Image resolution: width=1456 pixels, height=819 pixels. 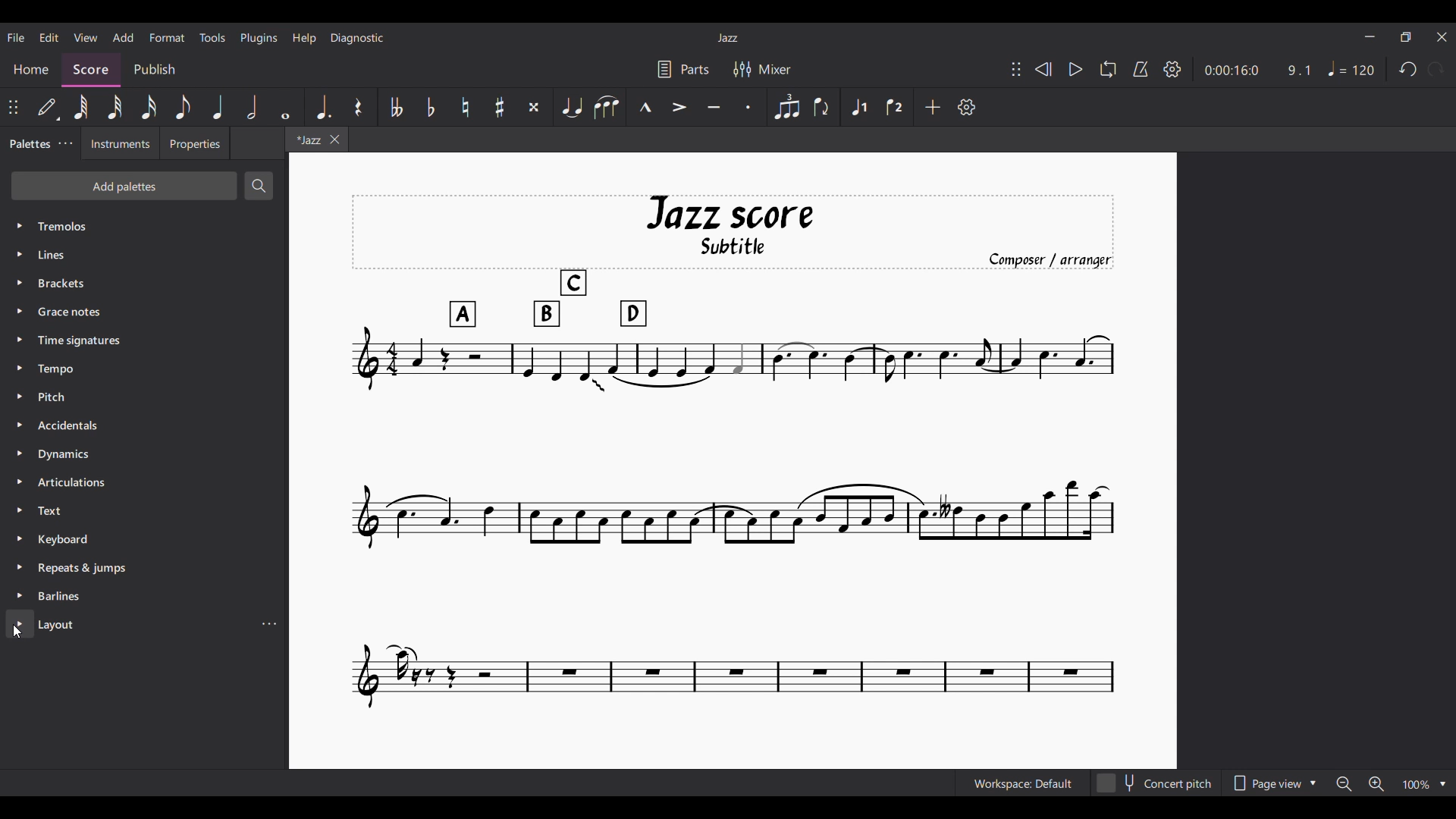 I want to click on Text, so click(x=144, y=510).